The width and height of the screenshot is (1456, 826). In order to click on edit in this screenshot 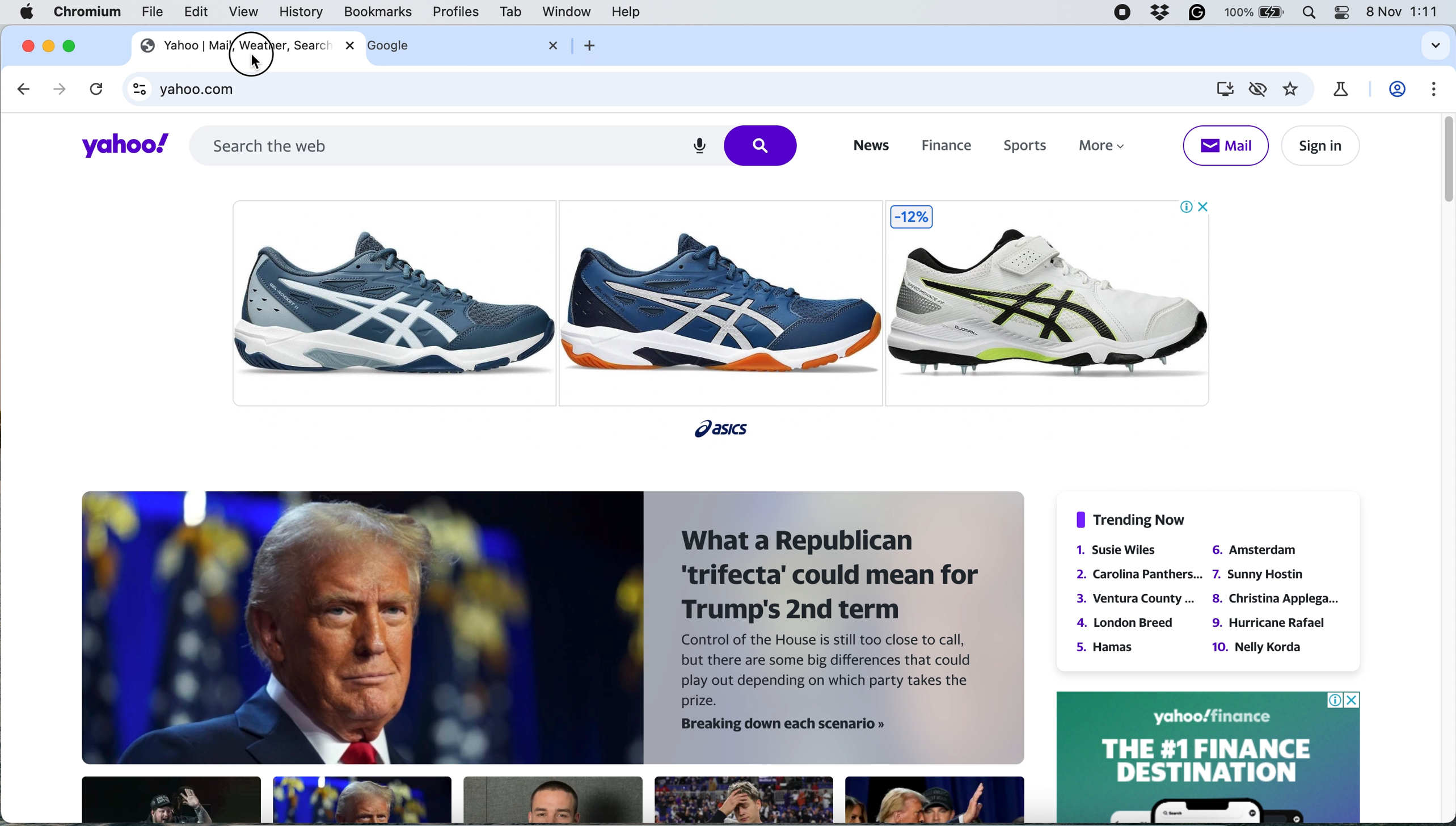, I will do `click(197, 12)`.